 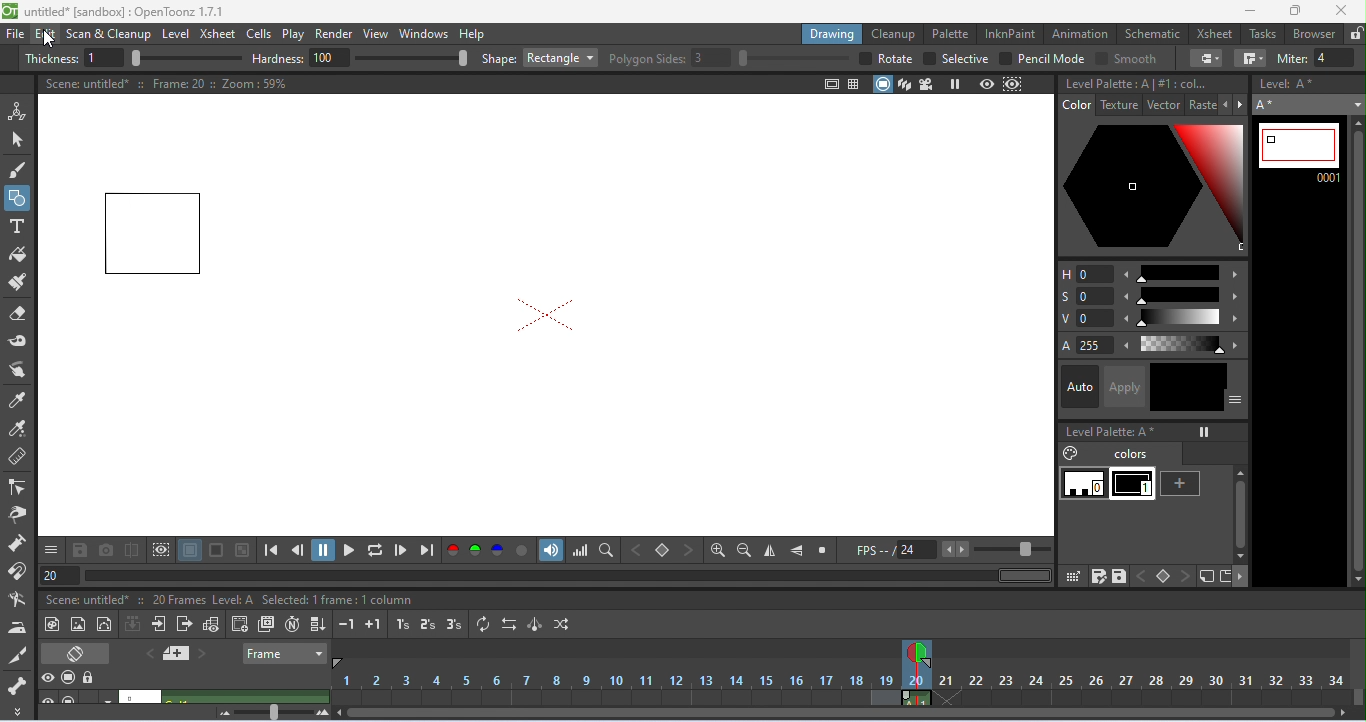 I want to click on browser, so click(x=1315, y=34).